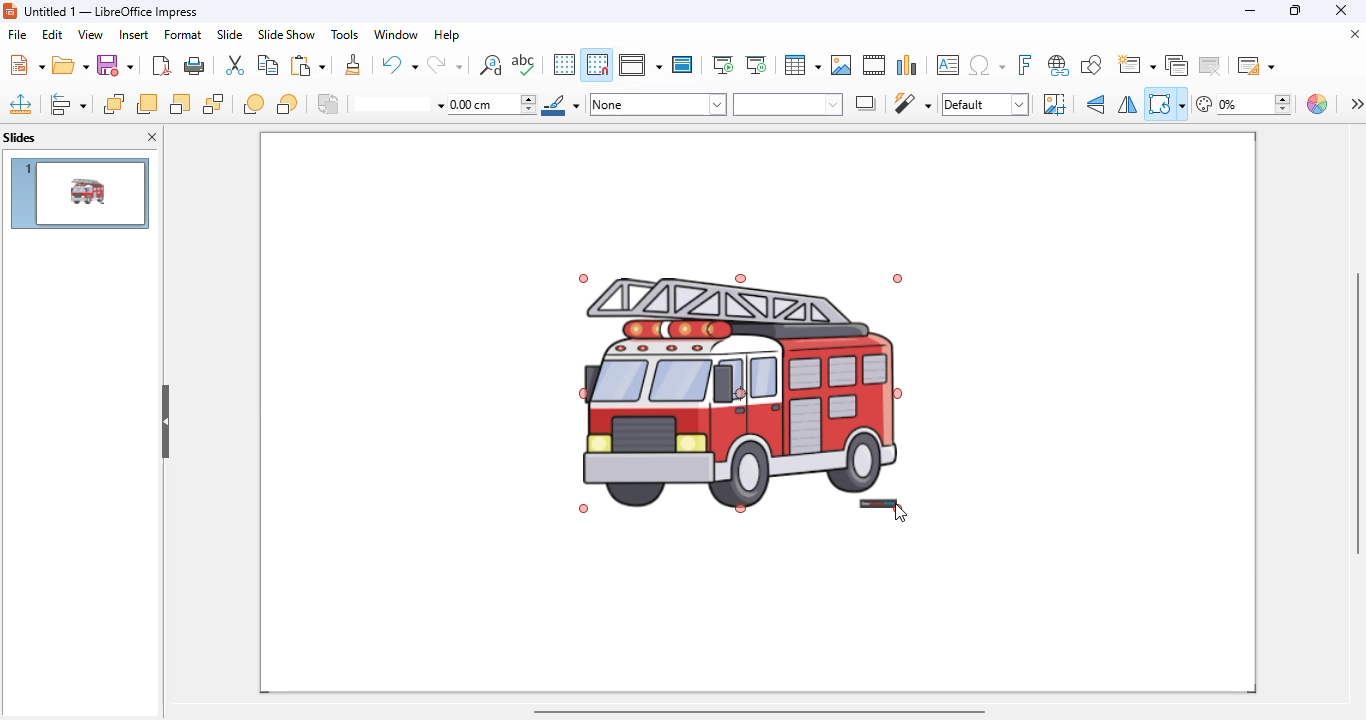 This screenshot has width=1366, height=720. Describe the element at coordinates (196, 66) in the screenshot. I see `print` at that location.